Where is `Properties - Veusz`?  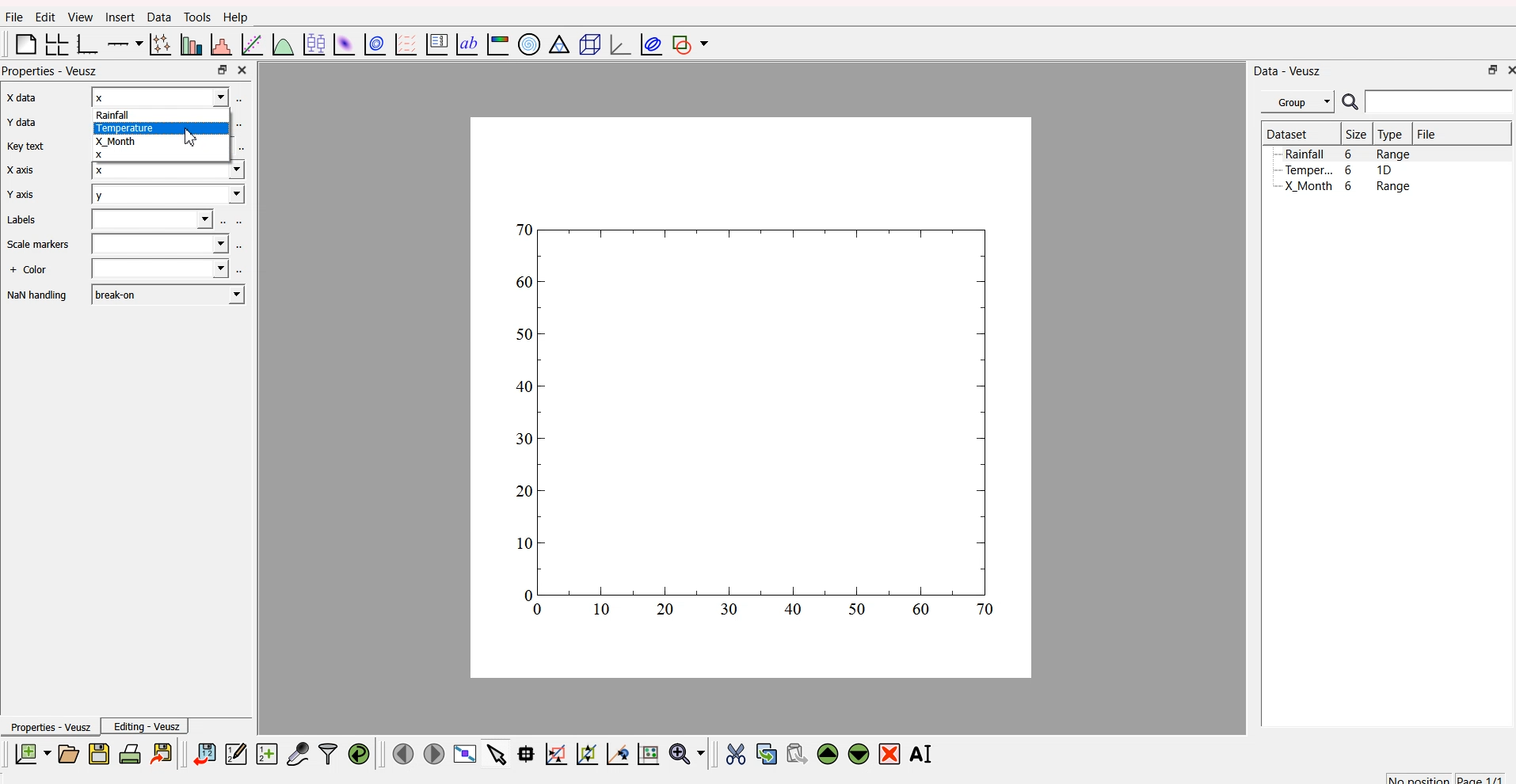 Properties - Veusz is located at coordinates (49, 726).